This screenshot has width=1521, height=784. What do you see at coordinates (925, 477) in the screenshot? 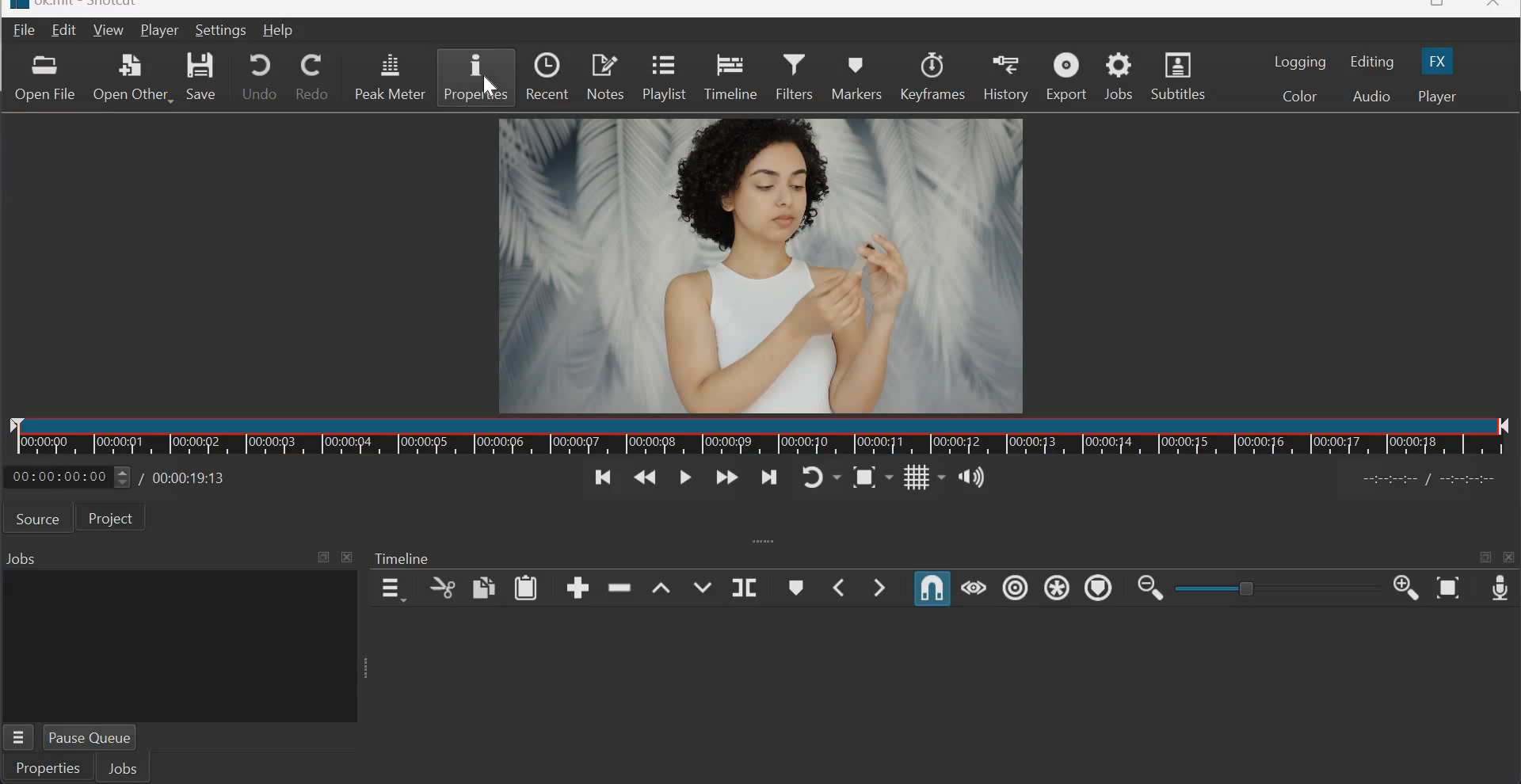
I see `Toggle grid display on the player` at bounding box center [925, 477].